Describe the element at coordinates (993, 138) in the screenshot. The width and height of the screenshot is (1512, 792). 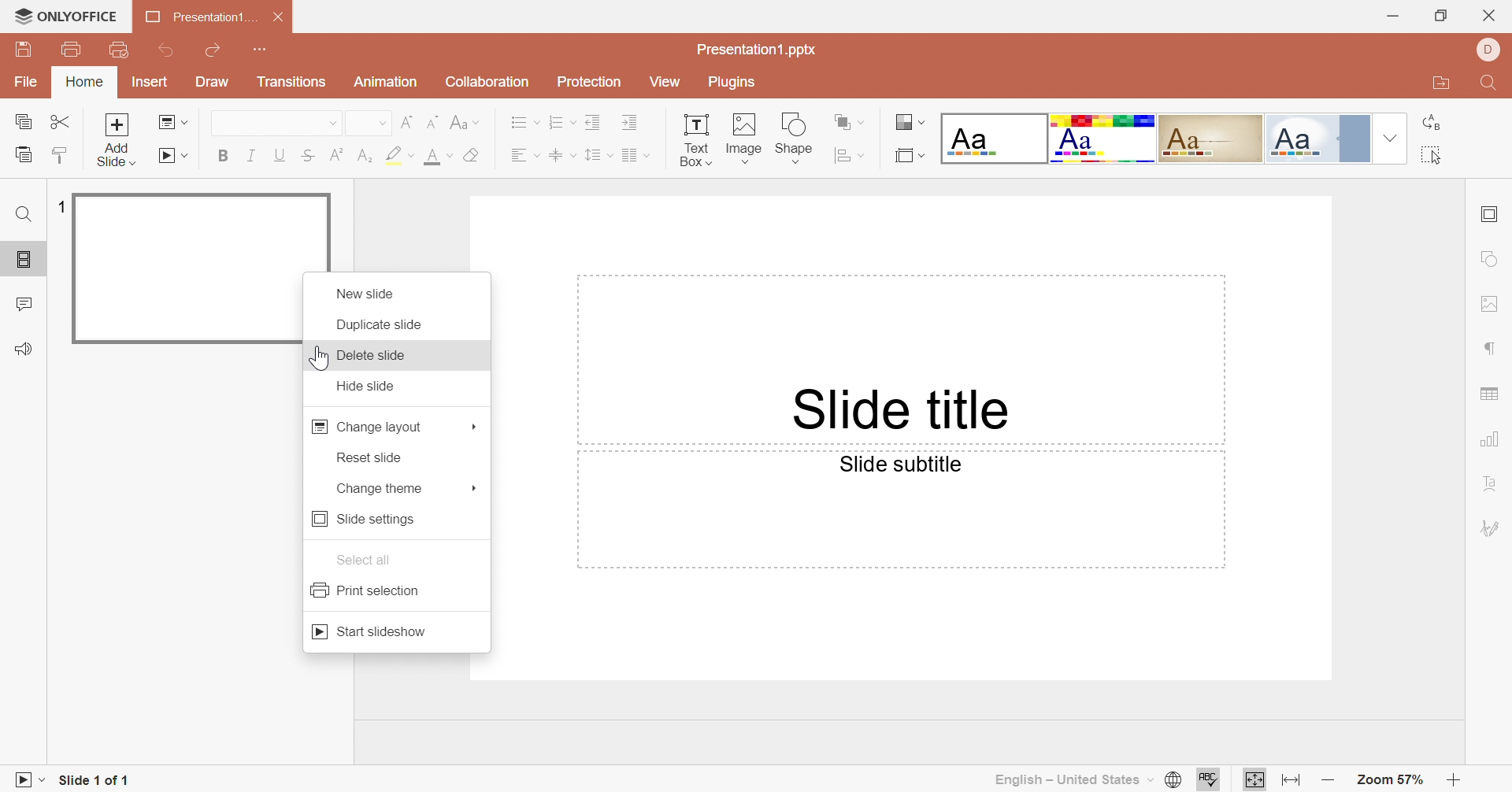
I see `Blank` at that location.